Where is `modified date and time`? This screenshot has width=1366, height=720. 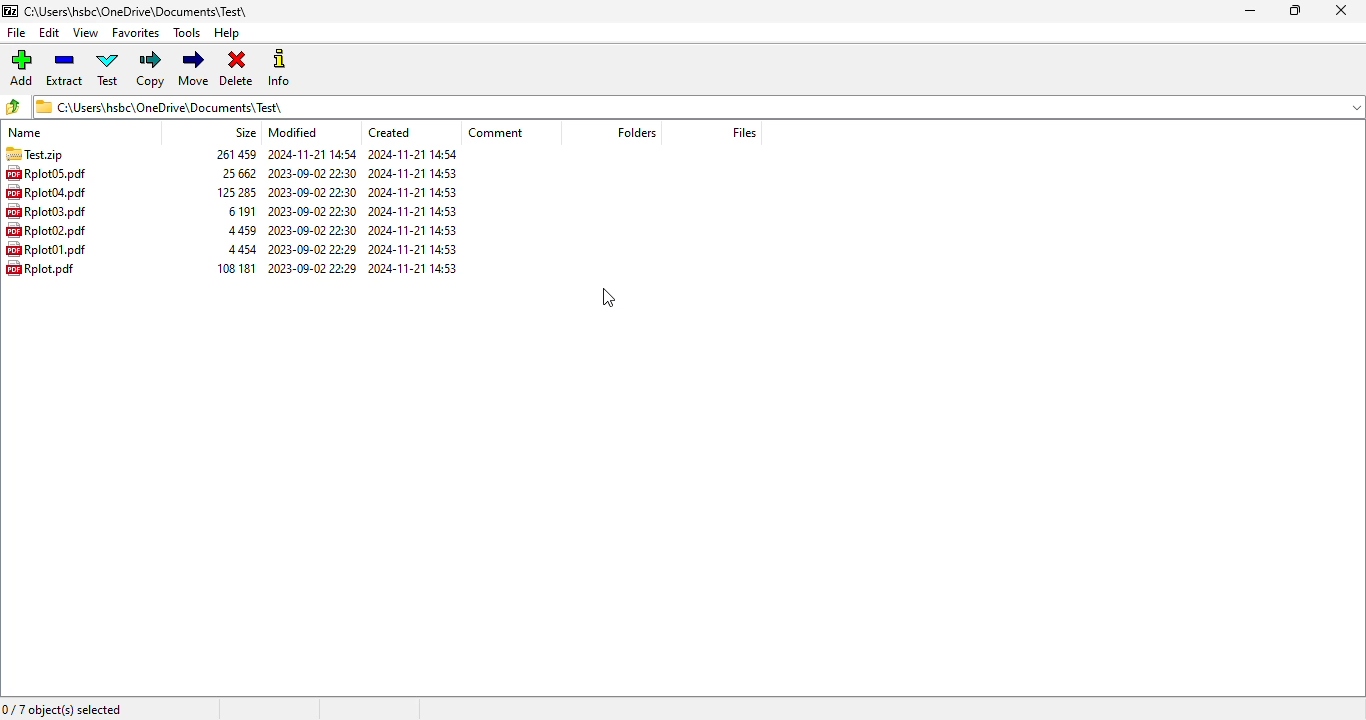
modified date and time is located at coordinates (311, 249).